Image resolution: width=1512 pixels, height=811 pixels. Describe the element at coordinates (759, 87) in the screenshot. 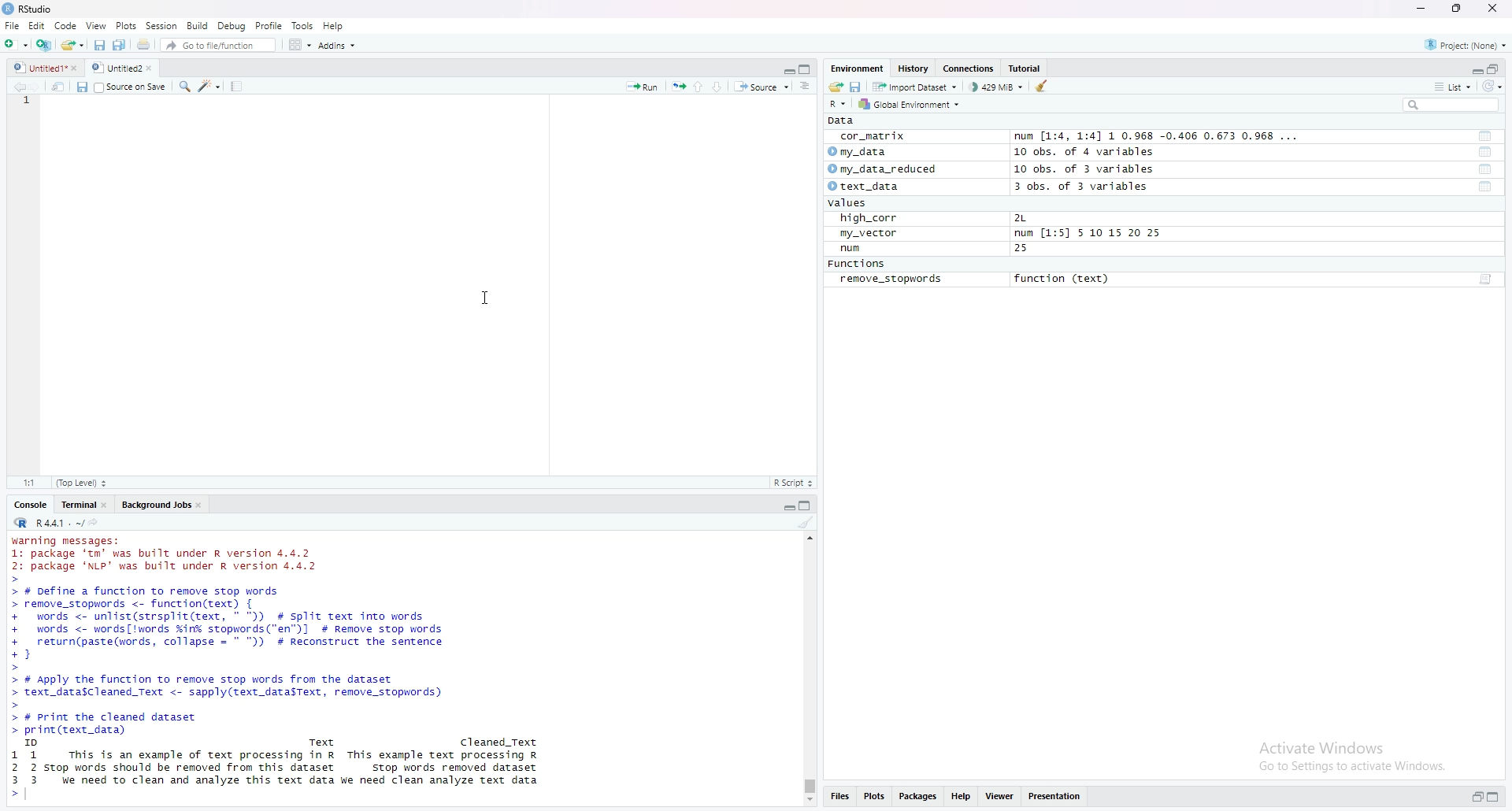

I see `Source` at that location.